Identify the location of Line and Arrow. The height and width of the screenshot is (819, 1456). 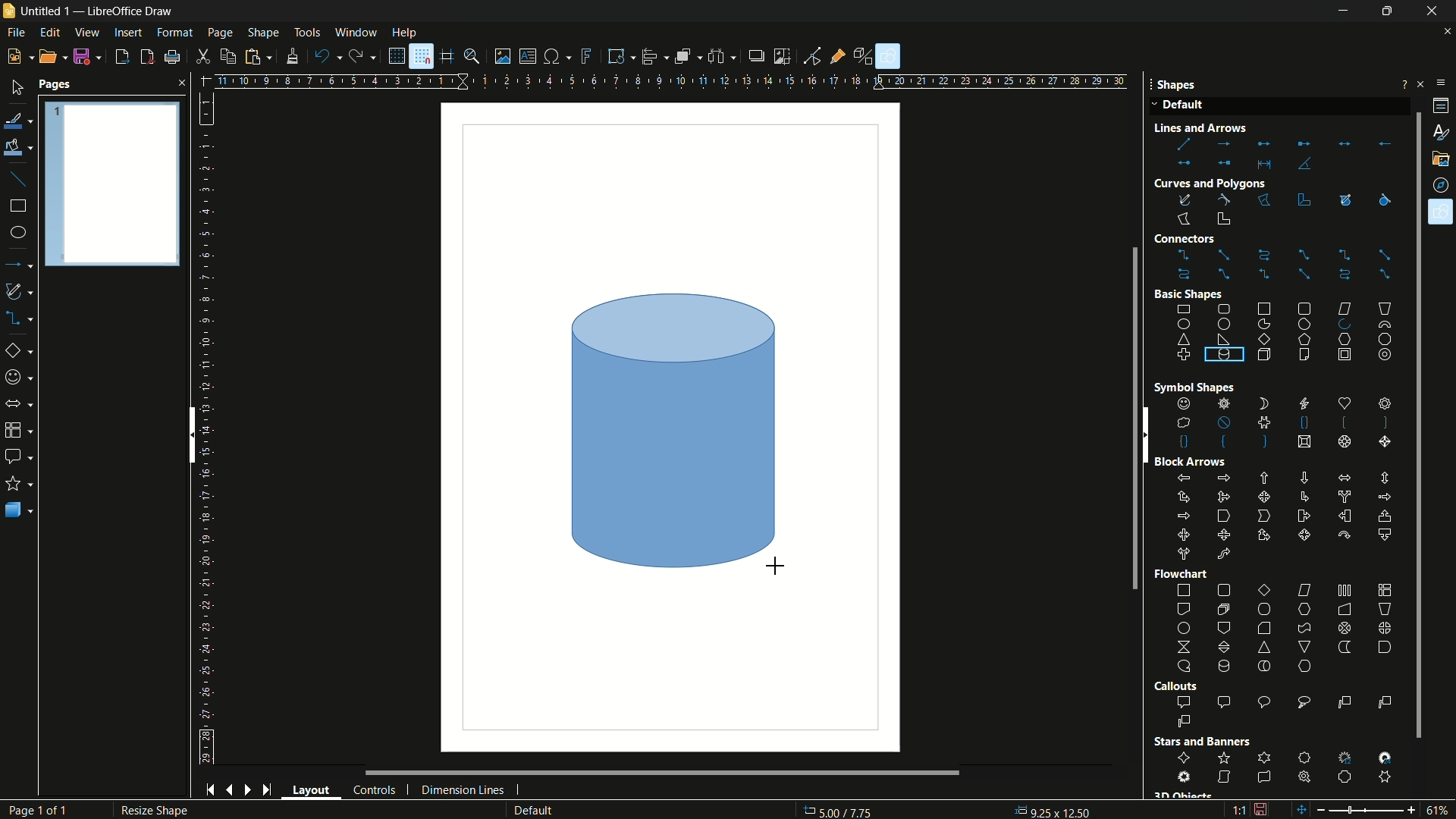
(1224, 127).